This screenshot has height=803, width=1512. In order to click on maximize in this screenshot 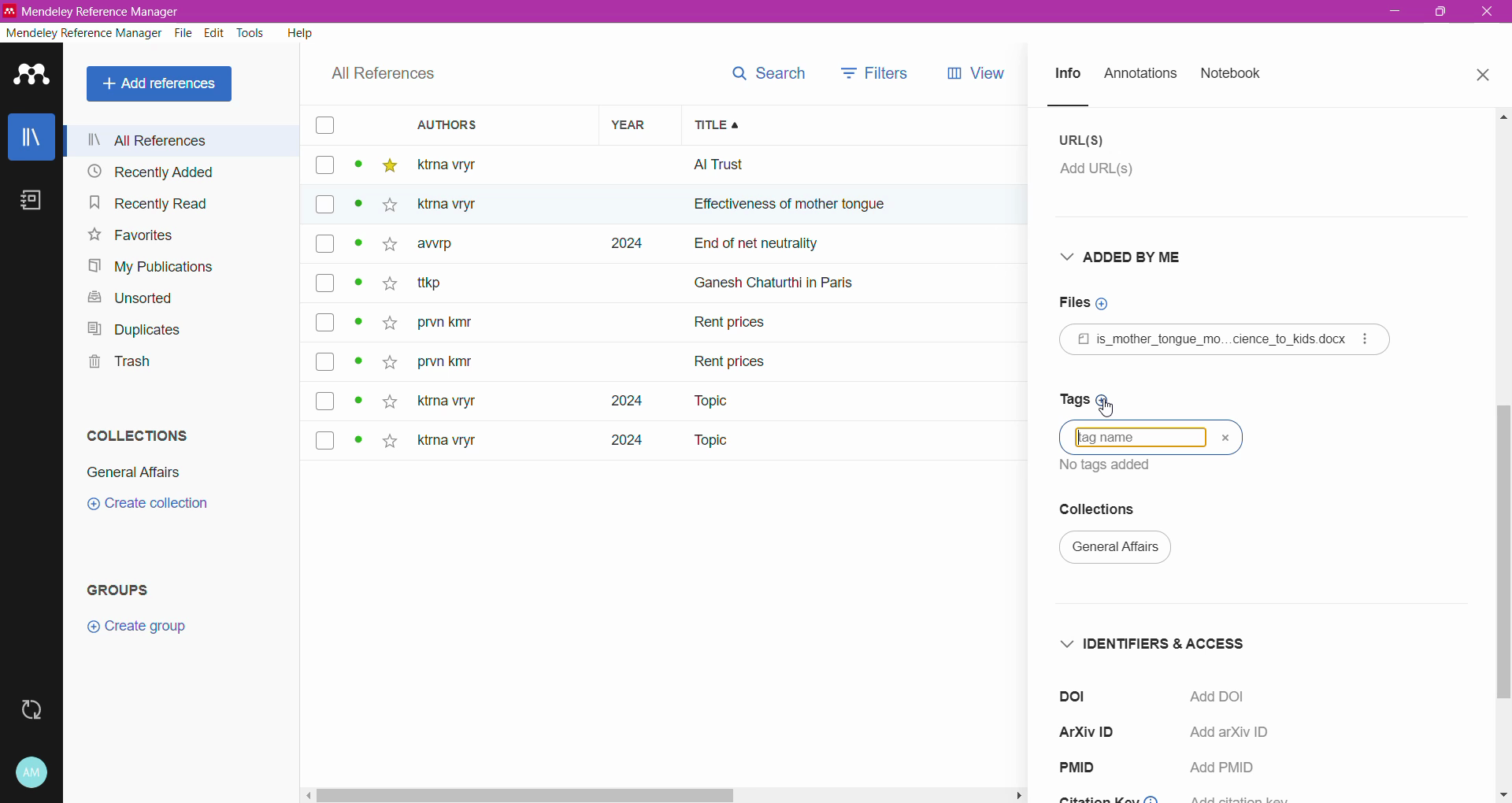, I will do `click(1436, 17)`.